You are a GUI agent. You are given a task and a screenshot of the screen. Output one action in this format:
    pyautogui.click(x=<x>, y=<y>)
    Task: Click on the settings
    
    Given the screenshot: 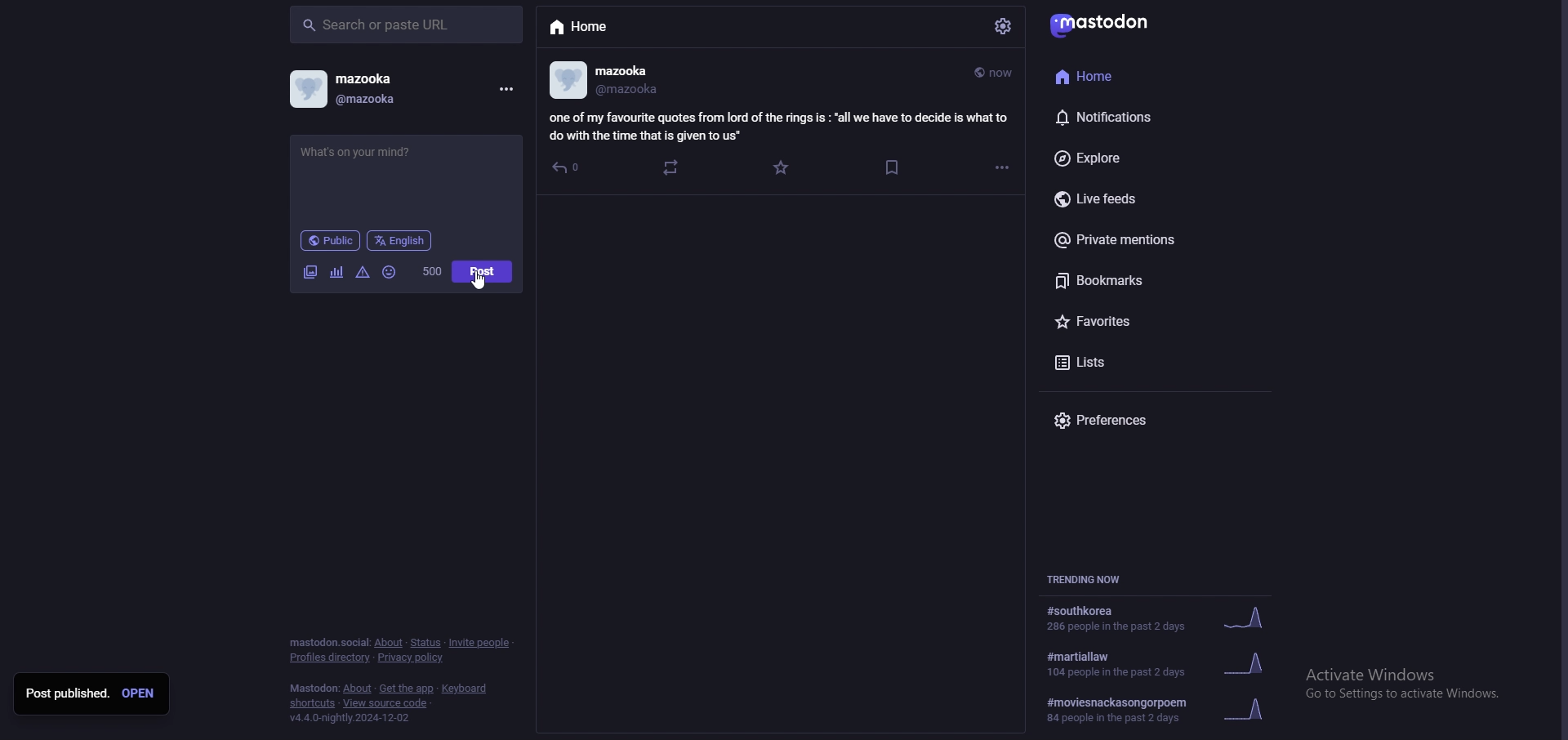 What is the action you would take?
    pyautogui.click(x=1004, y=25)
    